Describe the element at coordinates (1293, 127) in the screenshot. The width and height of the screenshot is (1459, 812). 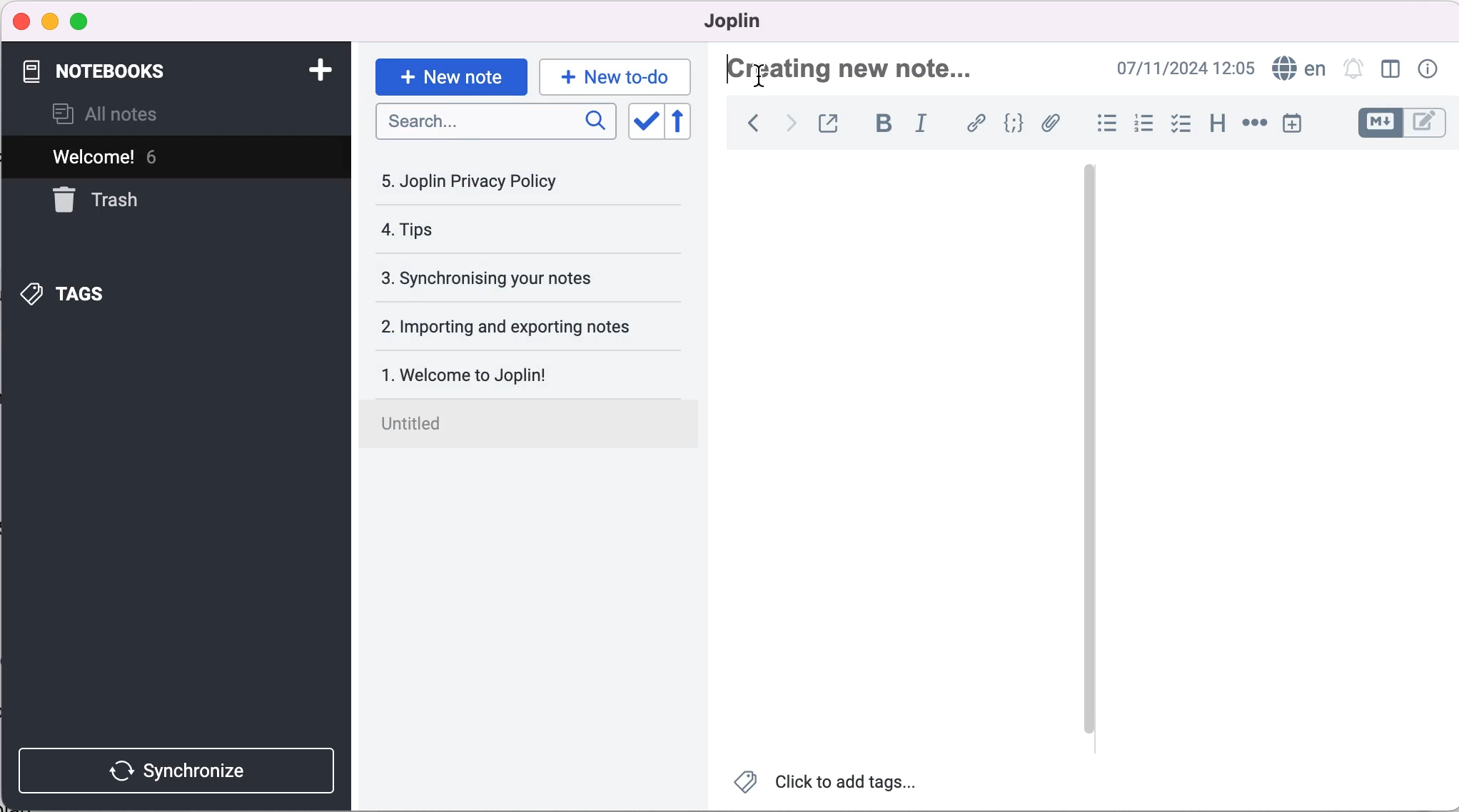
I see `insert time` at that location.